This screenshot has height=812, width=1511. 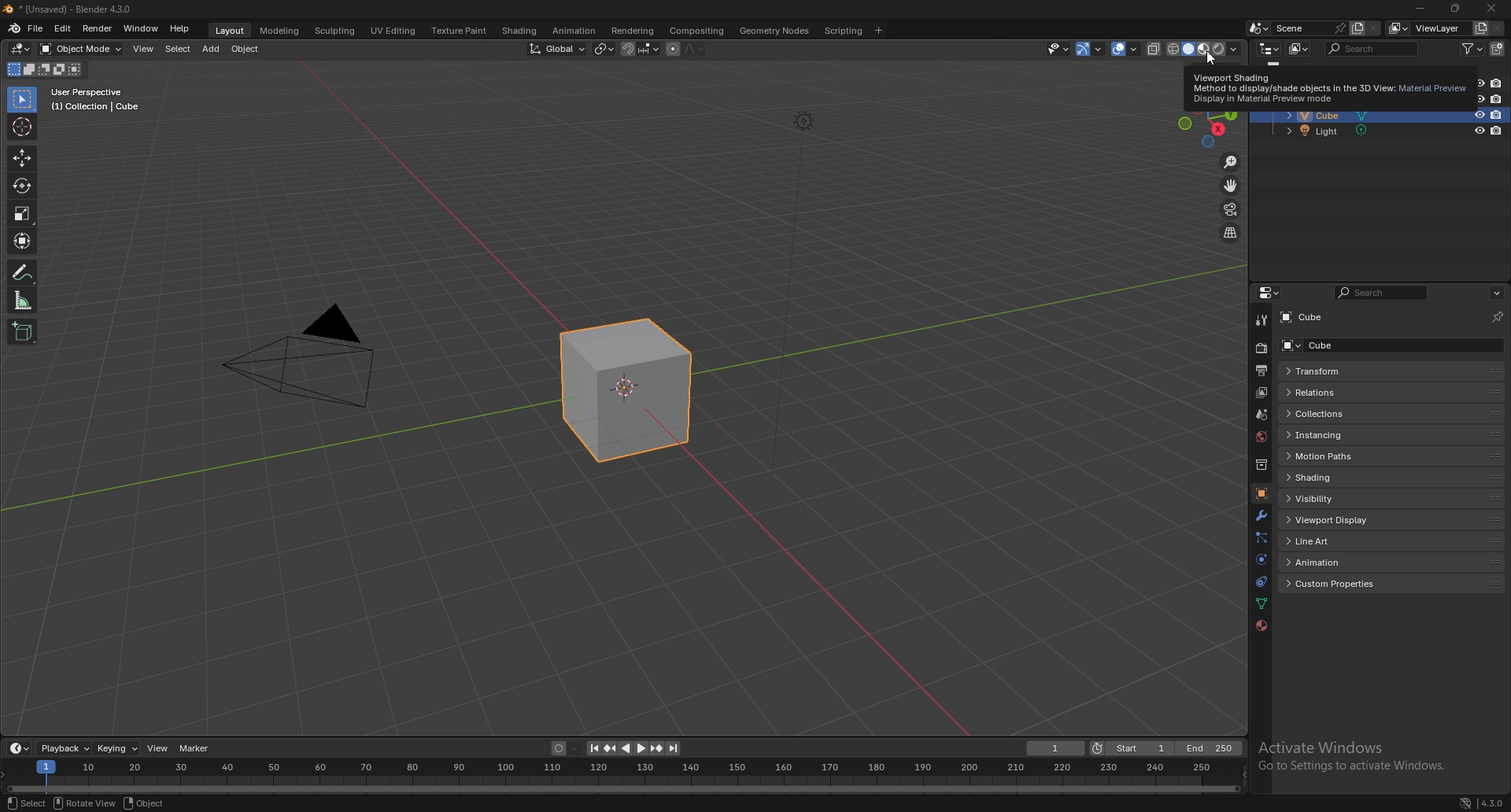 What do you see at coordinates (1498, 28) in the screenshot?
I see `remove viewlayer` at bounding box center [1498, 28].